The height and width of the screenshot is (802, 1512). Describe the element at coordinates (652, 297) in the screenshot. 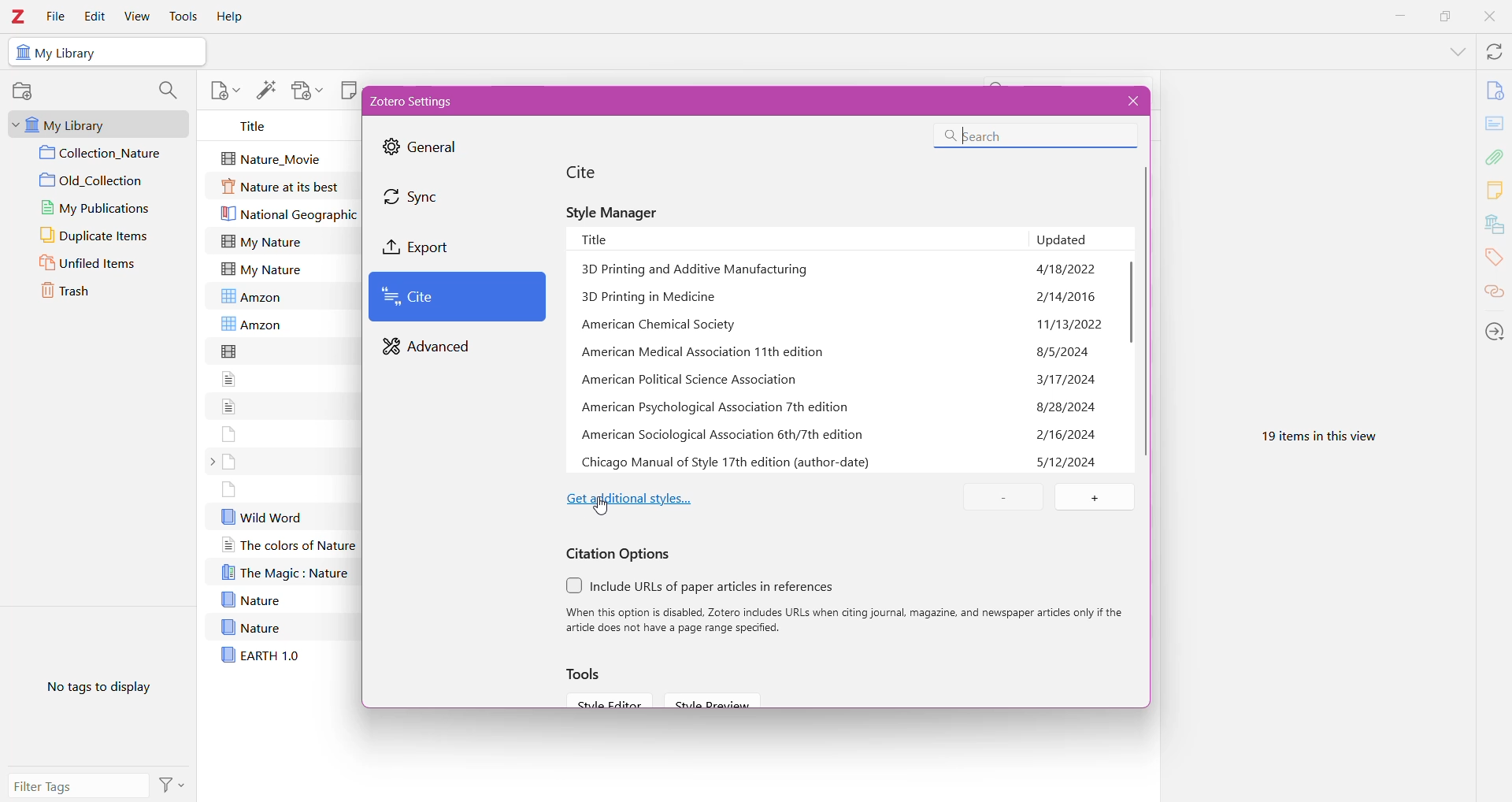

I see `3D Printing in Medicine` at that location.